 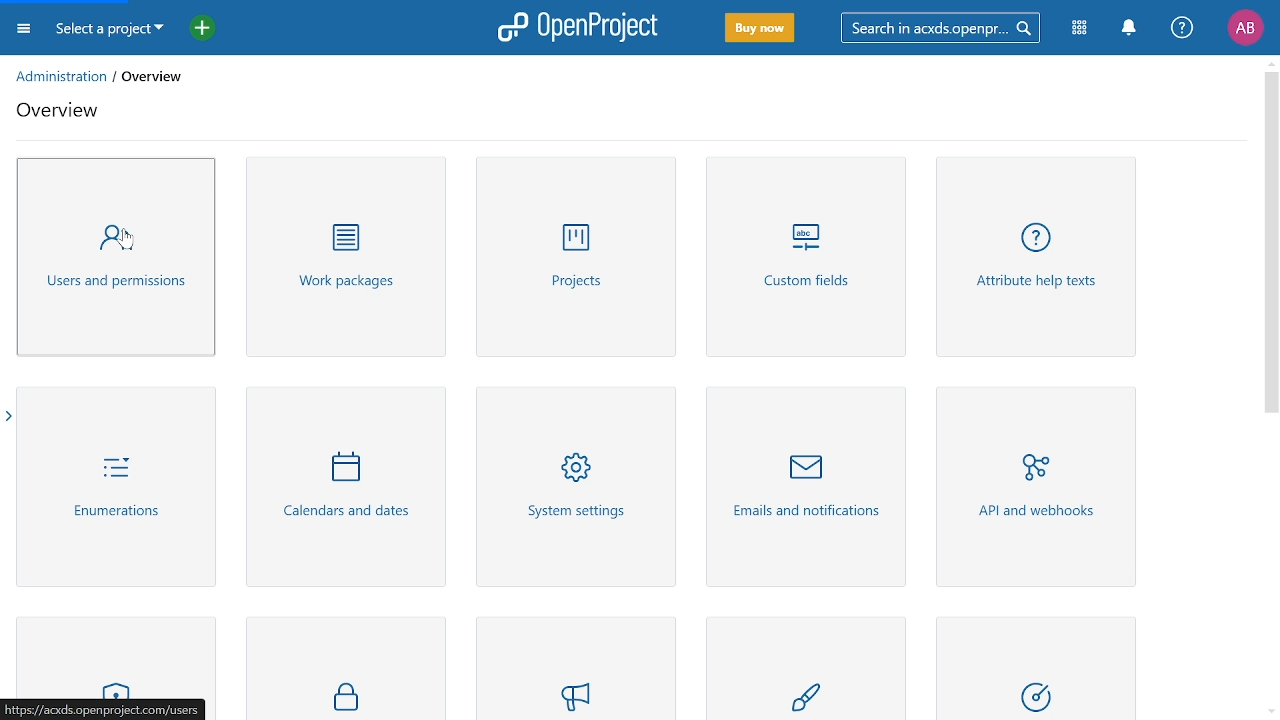 I want to click on Overview, so click(x=61, y=114).